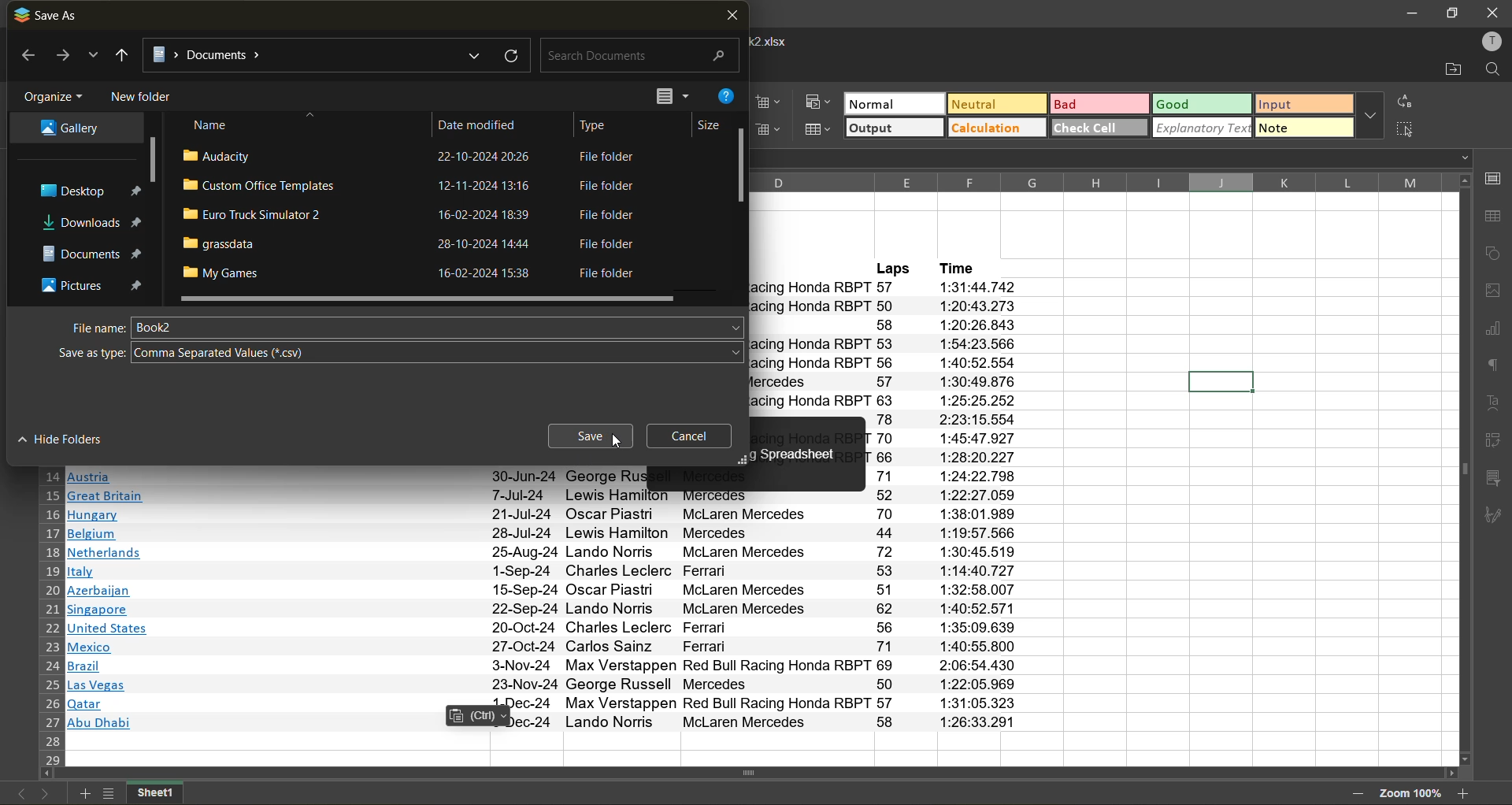 This screenshot has height=805, width=1512. Describe the element at coordinates (1357, 796) in the screenshot. I see `zoom out` at that location.